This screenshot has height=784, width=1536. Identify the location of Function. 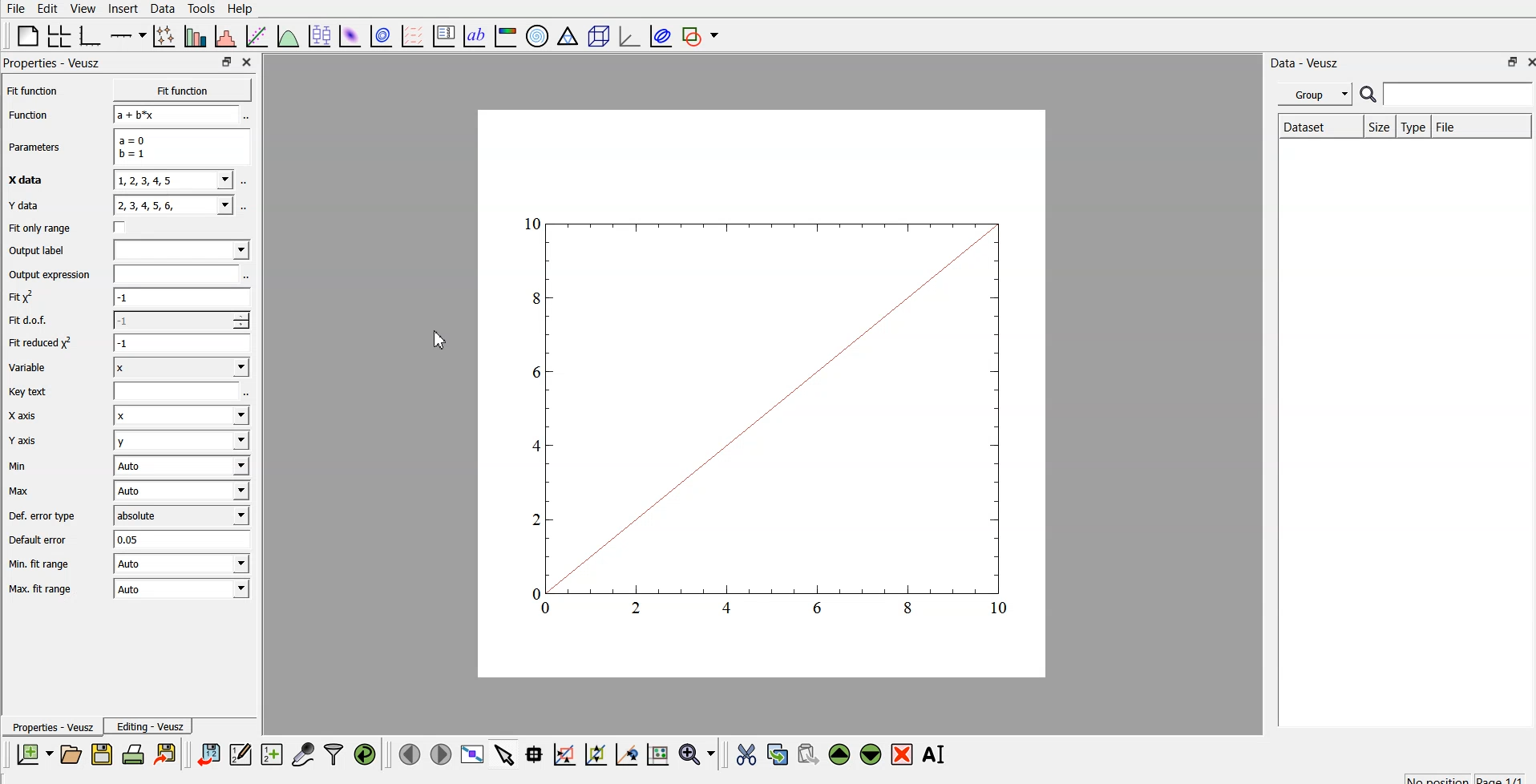
(44, 116).